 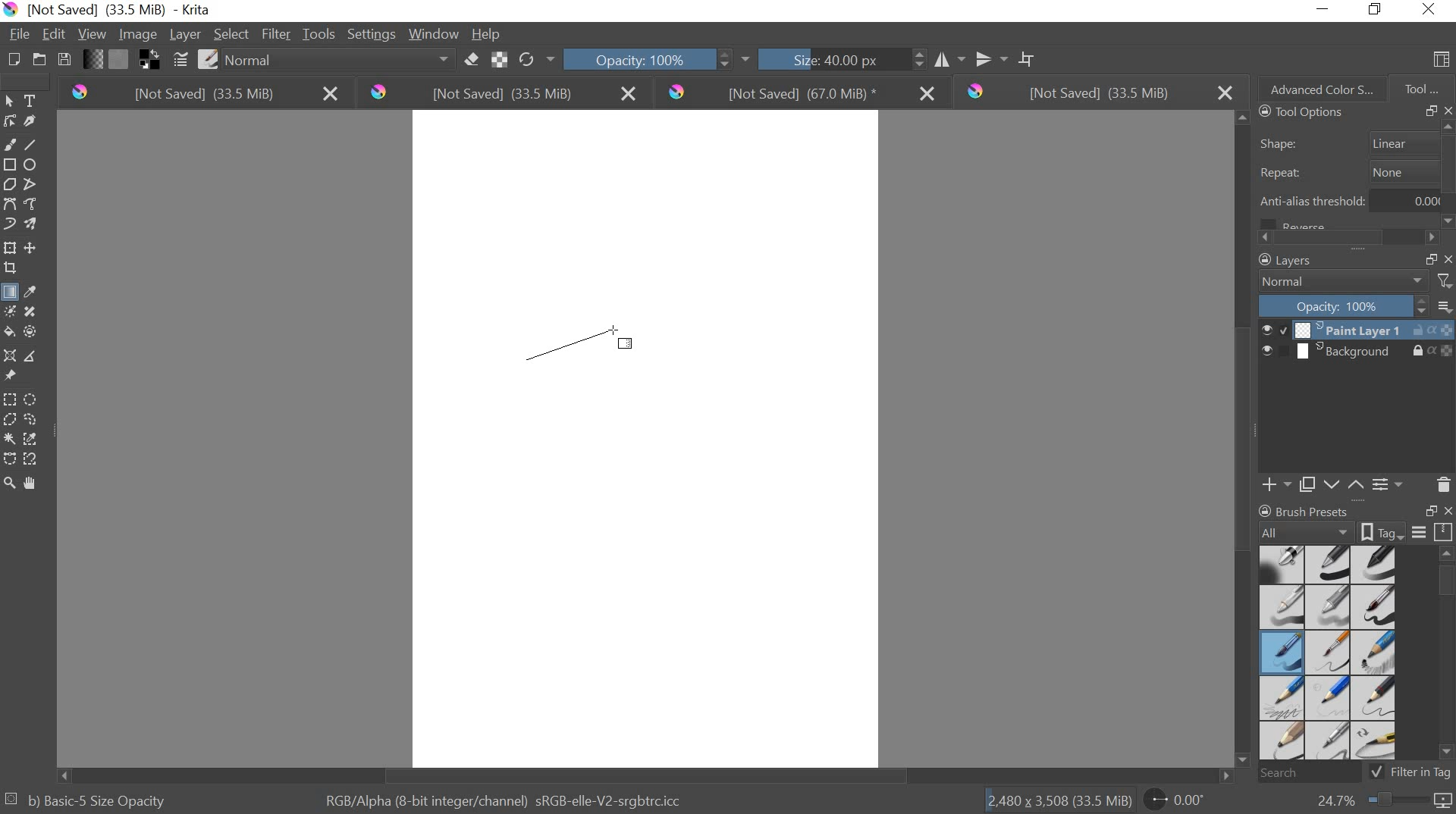 I want to click on smart patch tool, so click(x=35, y=310).